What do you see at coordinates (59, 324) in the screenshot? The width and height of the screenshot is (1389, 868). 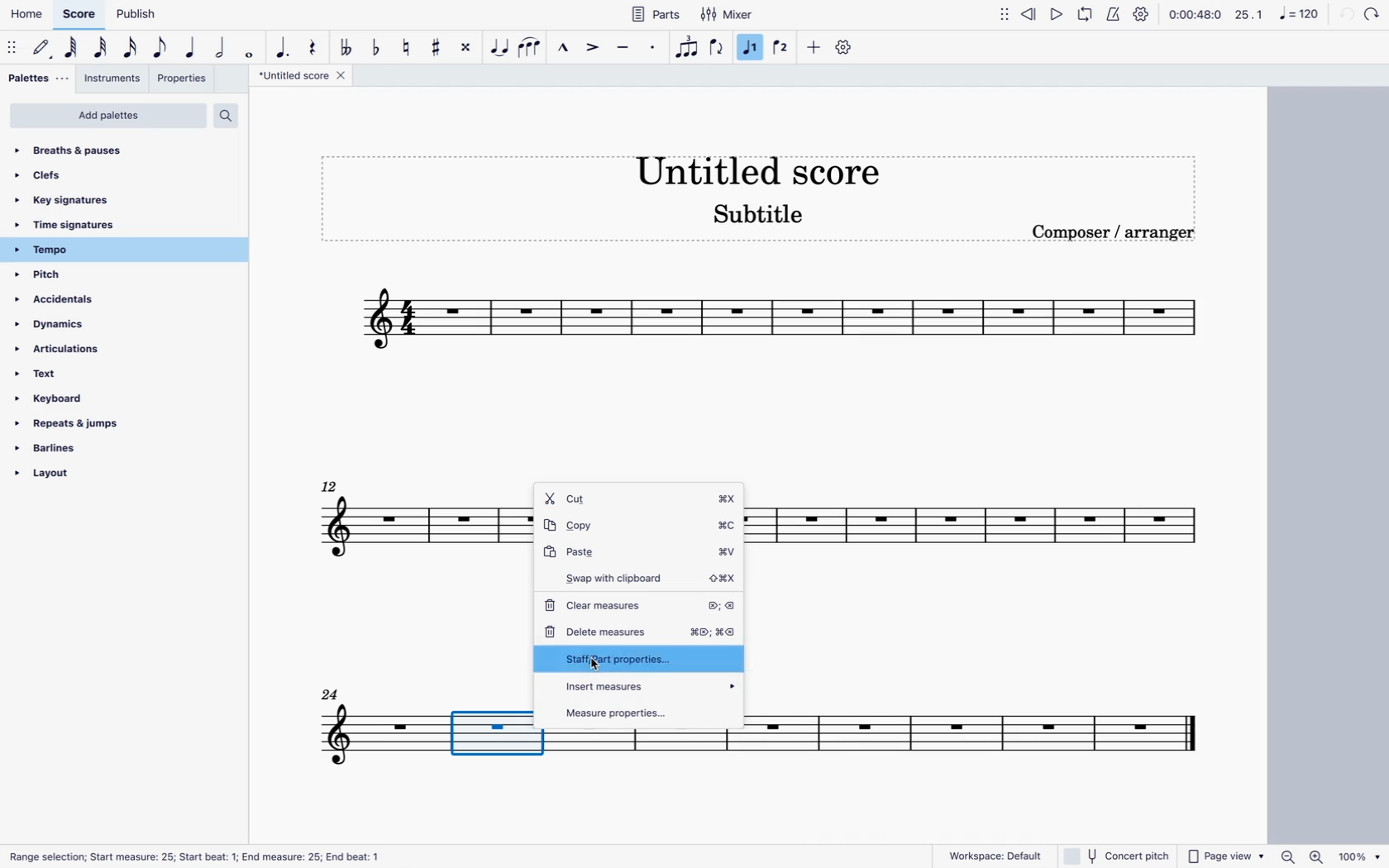 I see `dynamics` at bounding box center [59, 324].